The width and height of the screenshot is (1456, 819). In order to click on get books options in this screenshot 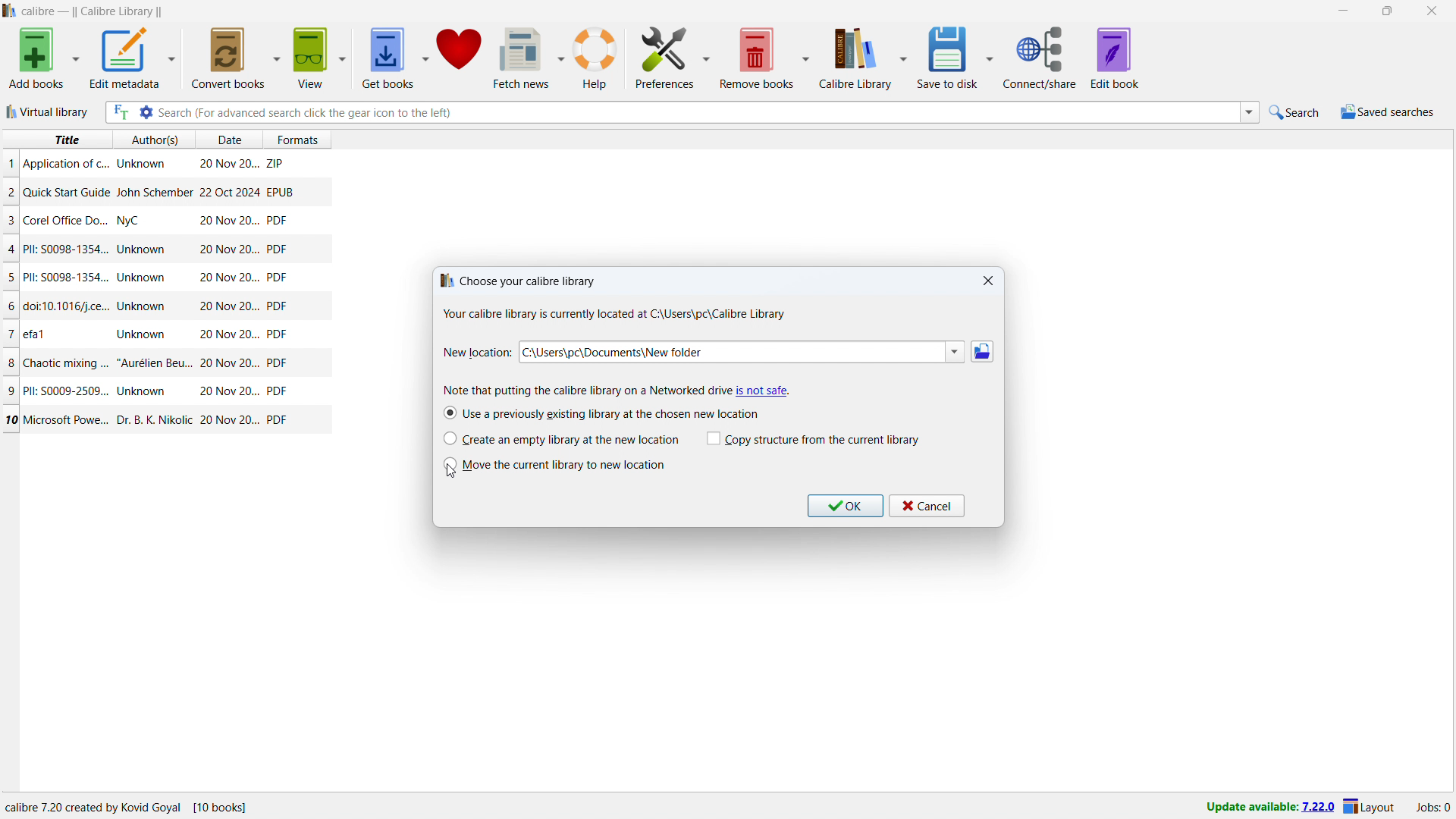, I will do `click(425, 58)`.